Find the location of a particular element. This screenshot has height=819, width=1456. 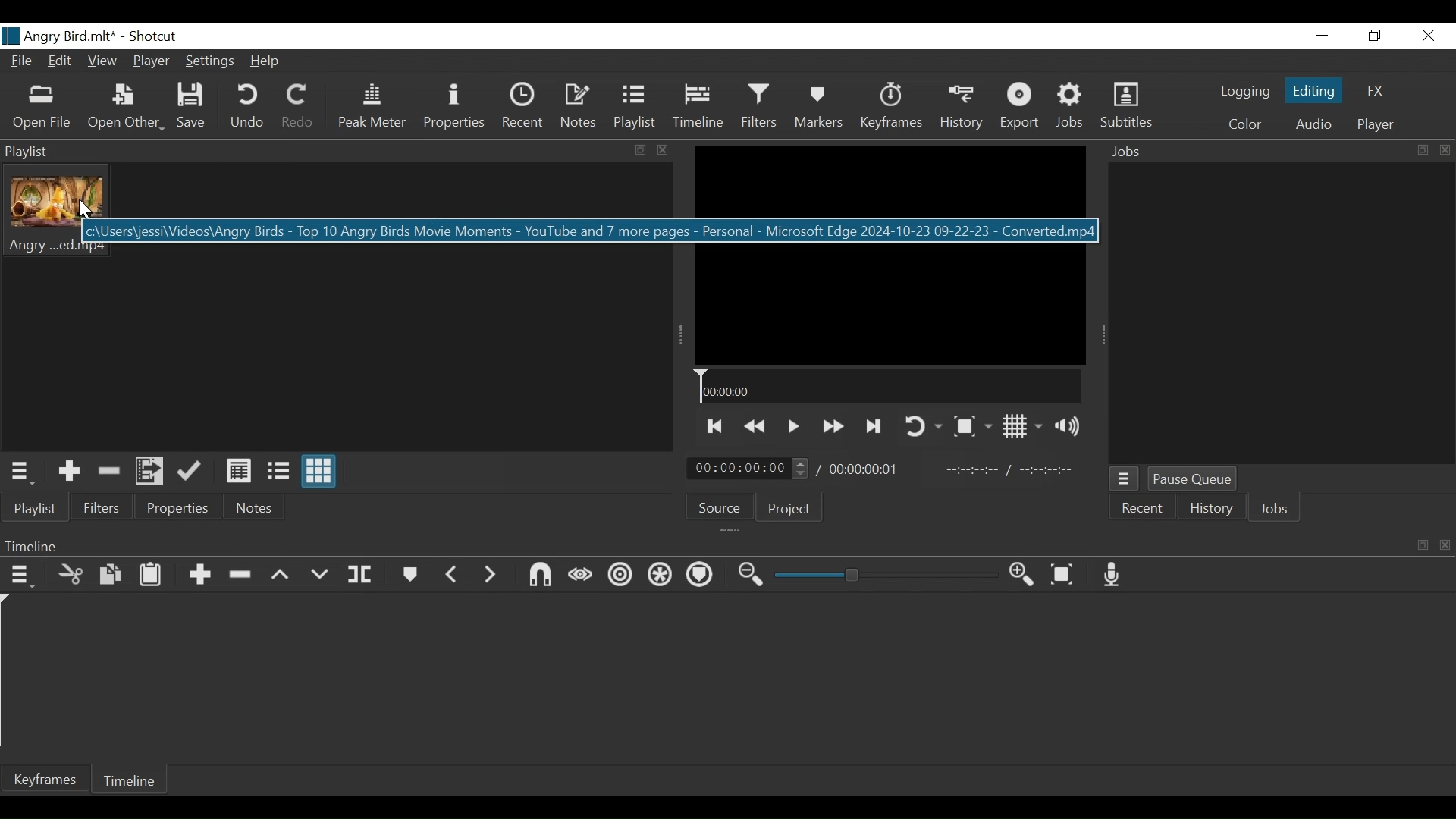

View is located at coordinates (104, 61).